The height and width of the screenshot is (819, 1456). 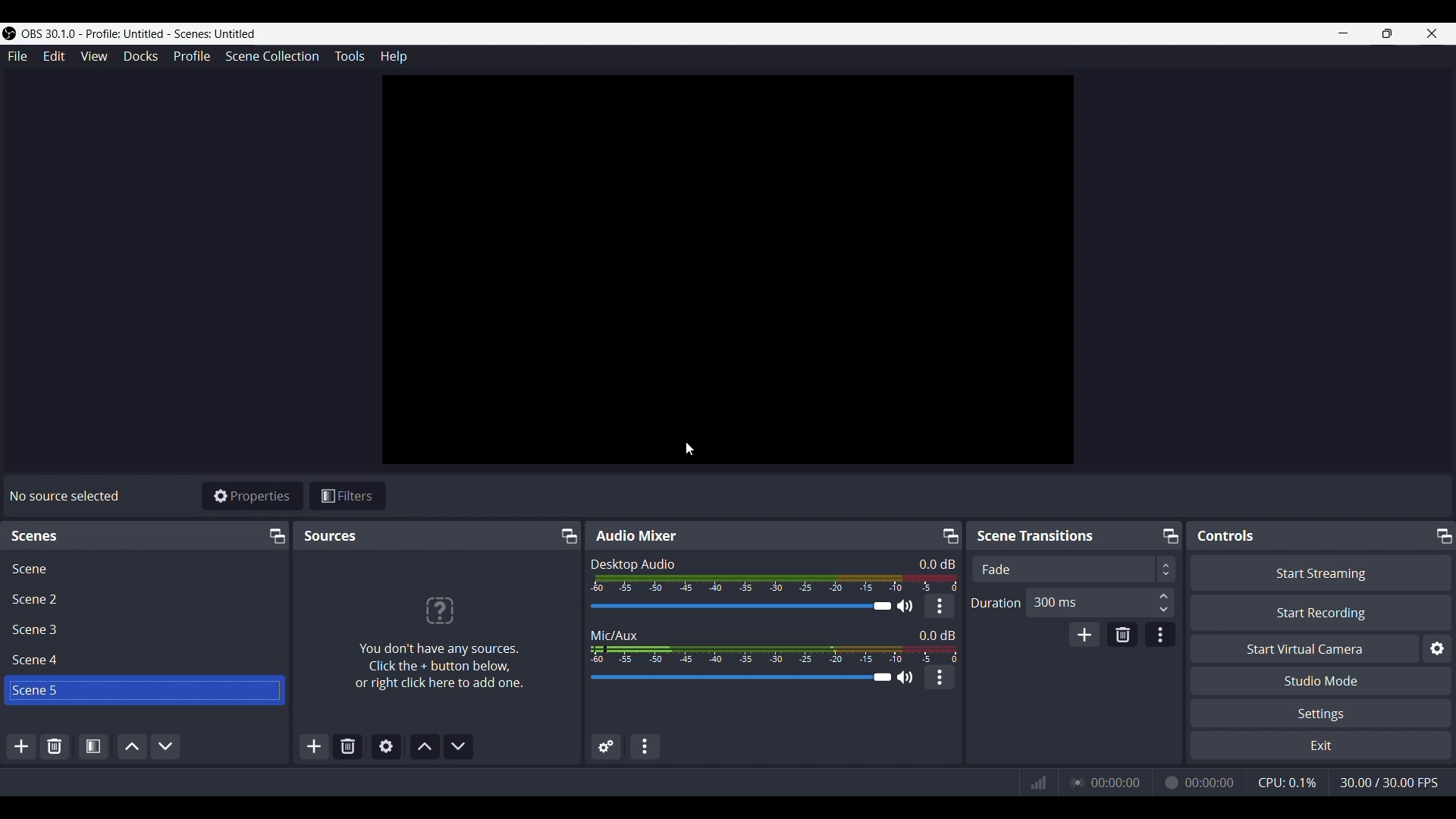 I want to click on Move scene Up, so click(x=130, y=745).